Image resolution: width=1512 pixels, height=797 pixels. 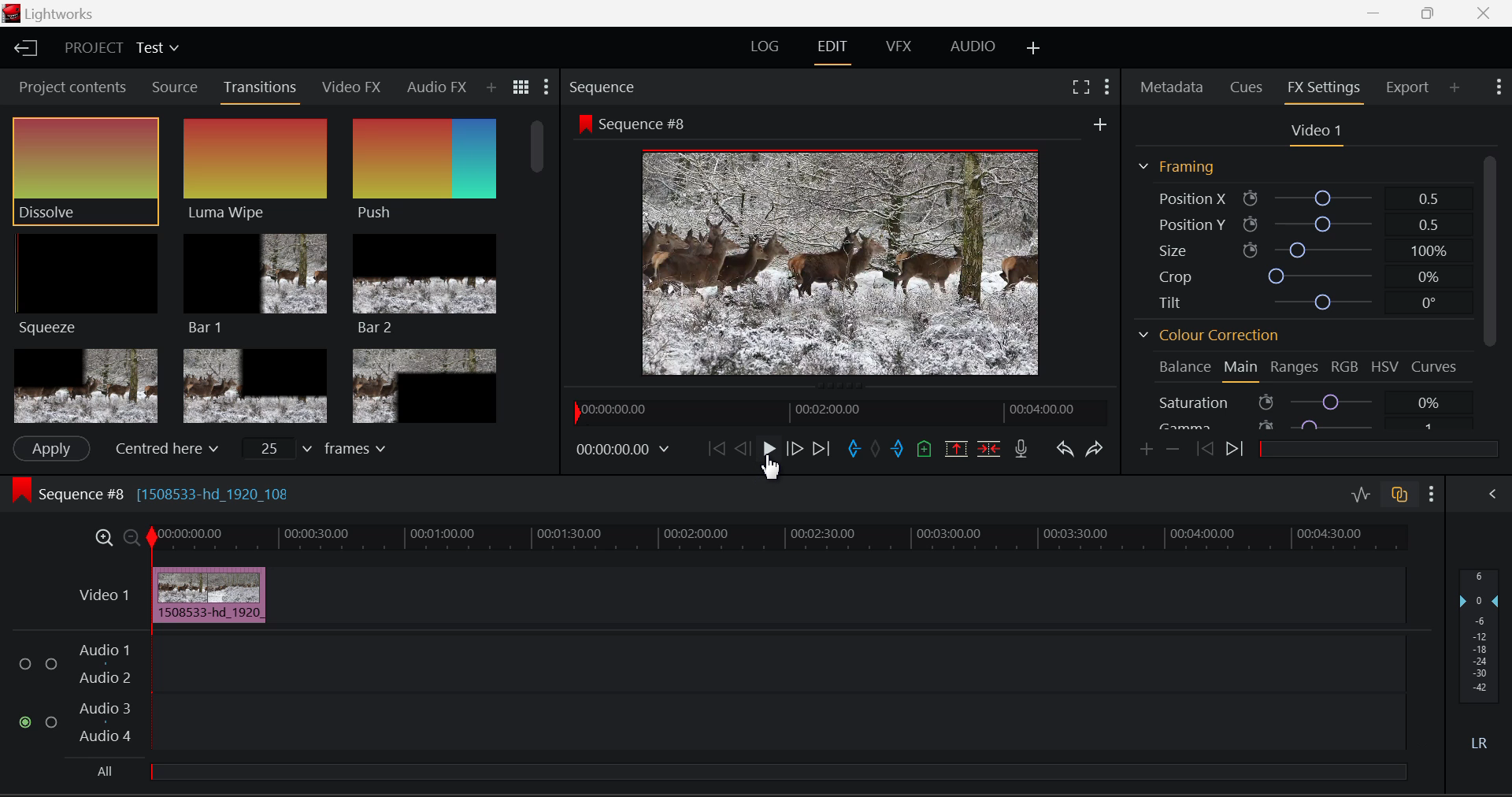 What do you see at coordinates (1172, 448) in the screenshot?
I see `Delete keyframes` at bounding box center [1172, 448].